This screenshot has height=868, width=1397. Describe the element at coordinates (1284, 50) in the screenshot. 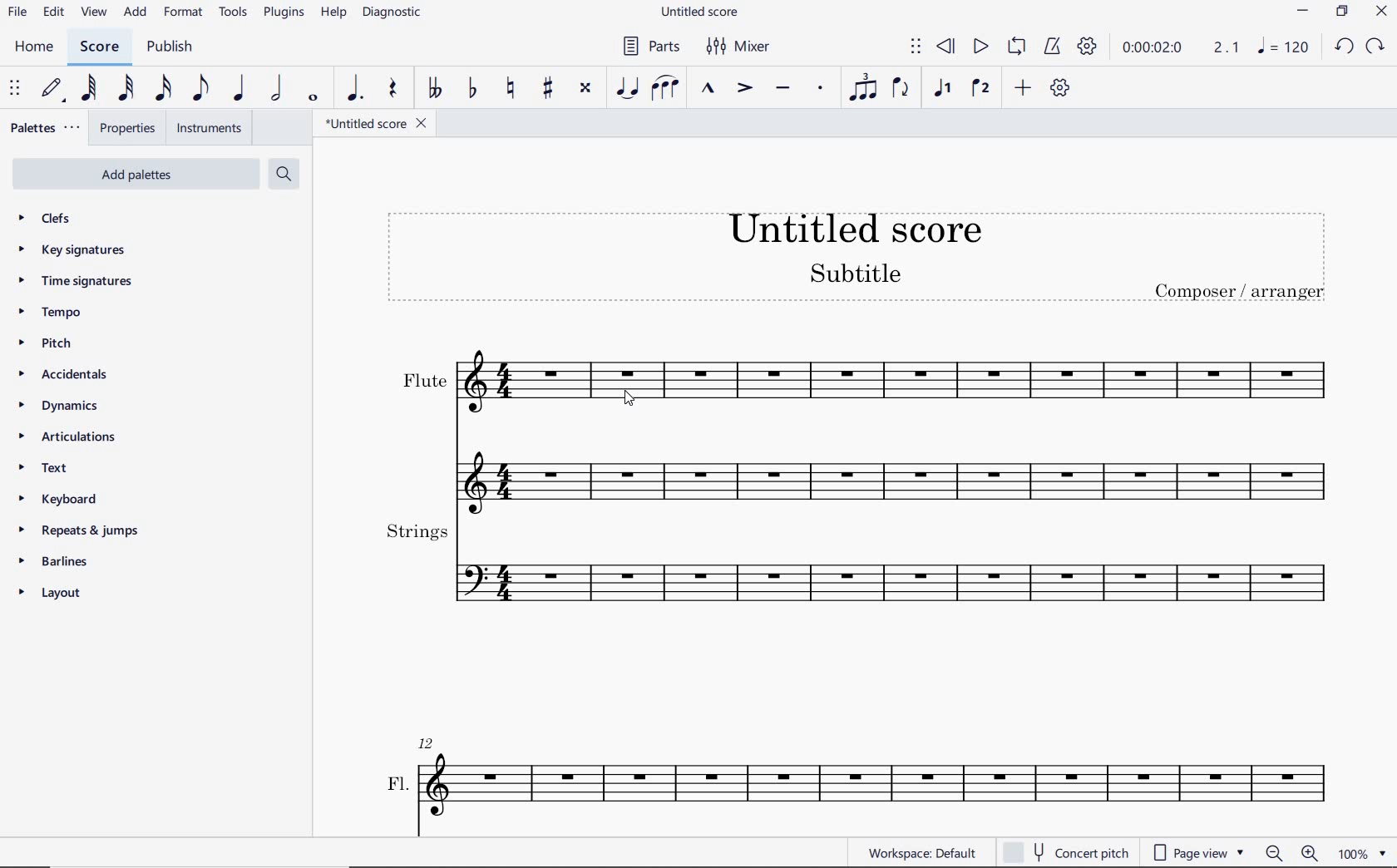

I see `note` at that location.